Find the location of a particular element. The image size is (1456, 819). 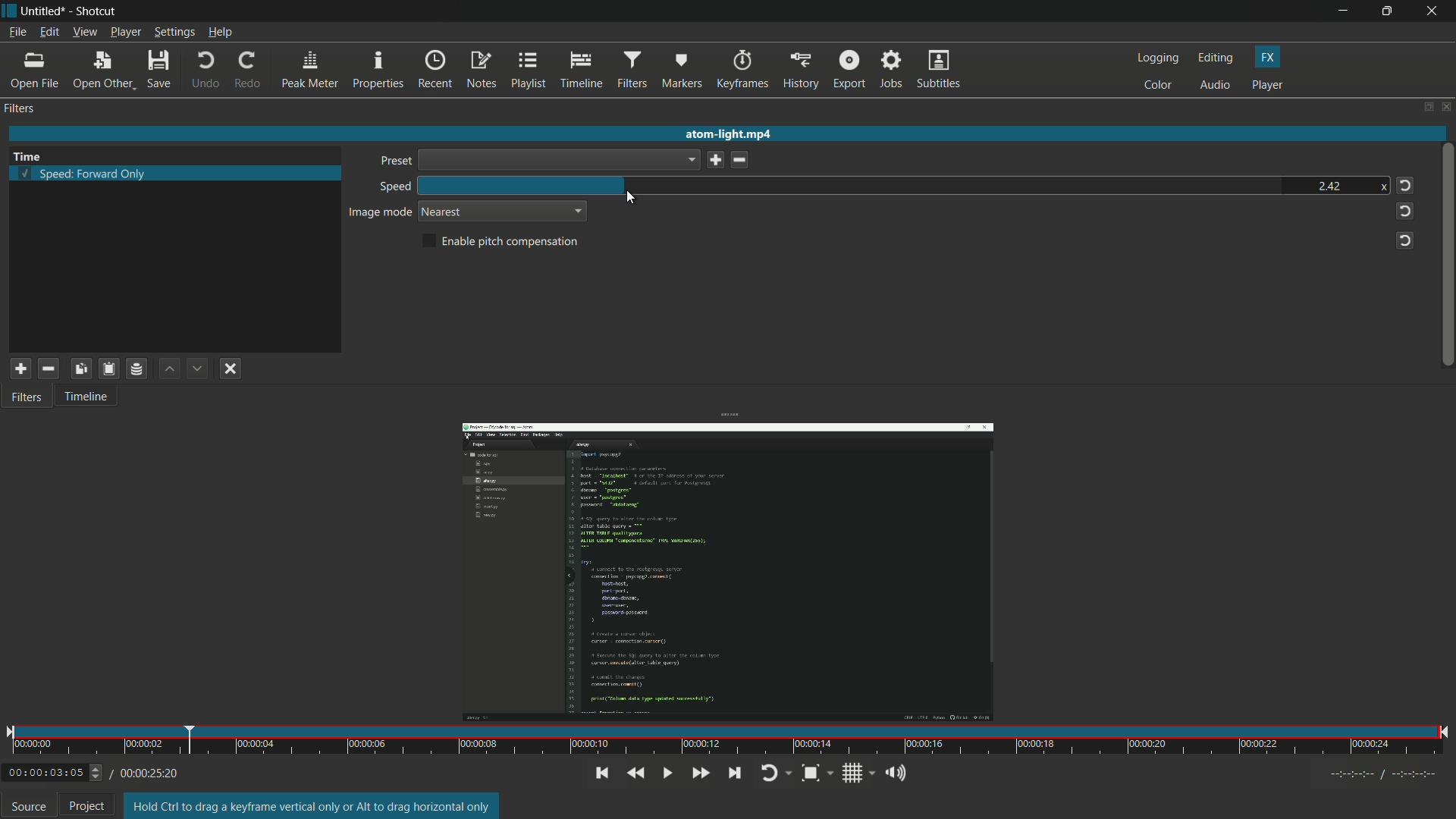

add a filter is located at coordinates (19, 369).